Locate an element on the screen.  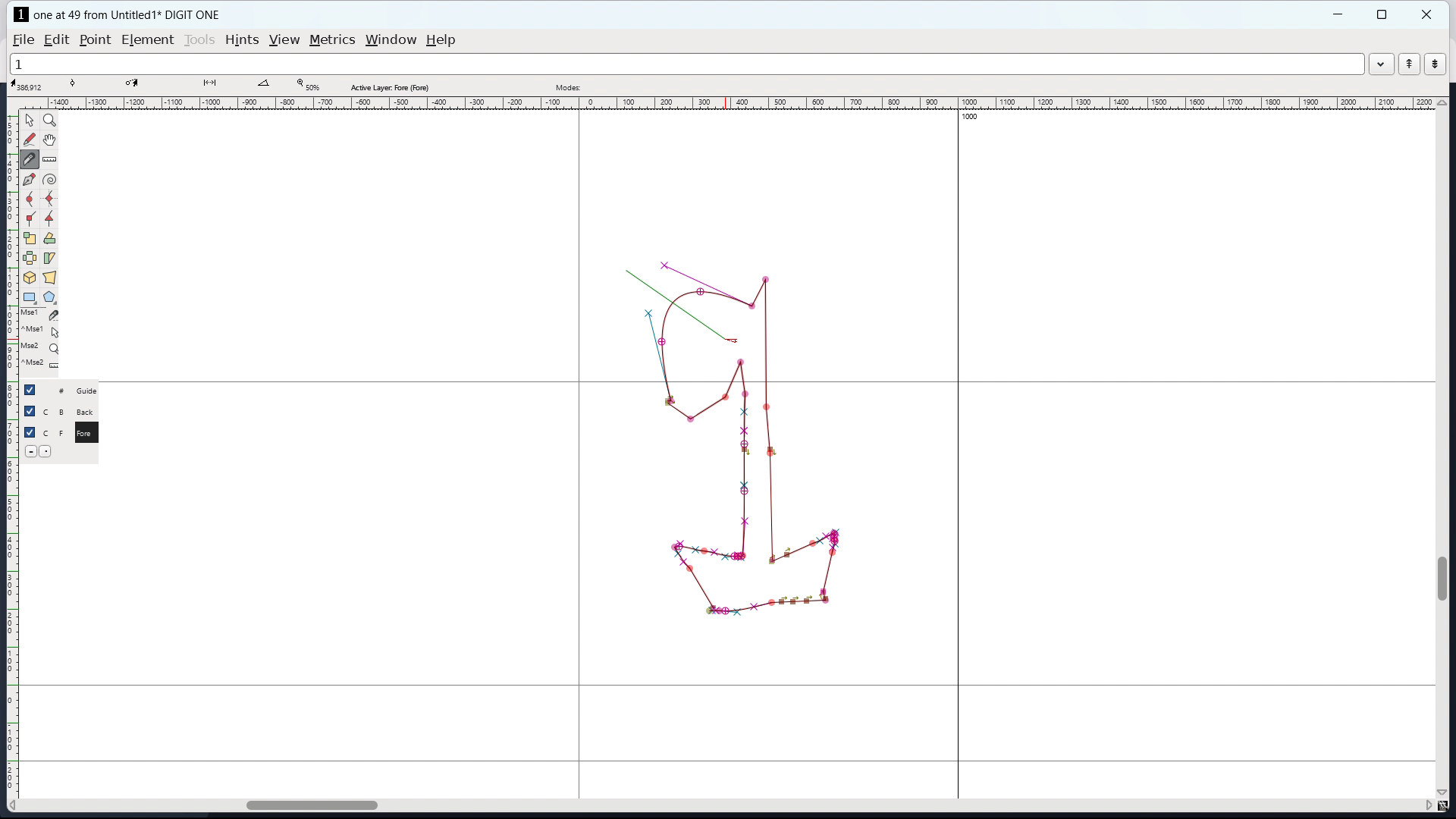
skew the selection is located at coordinates (50, 258).